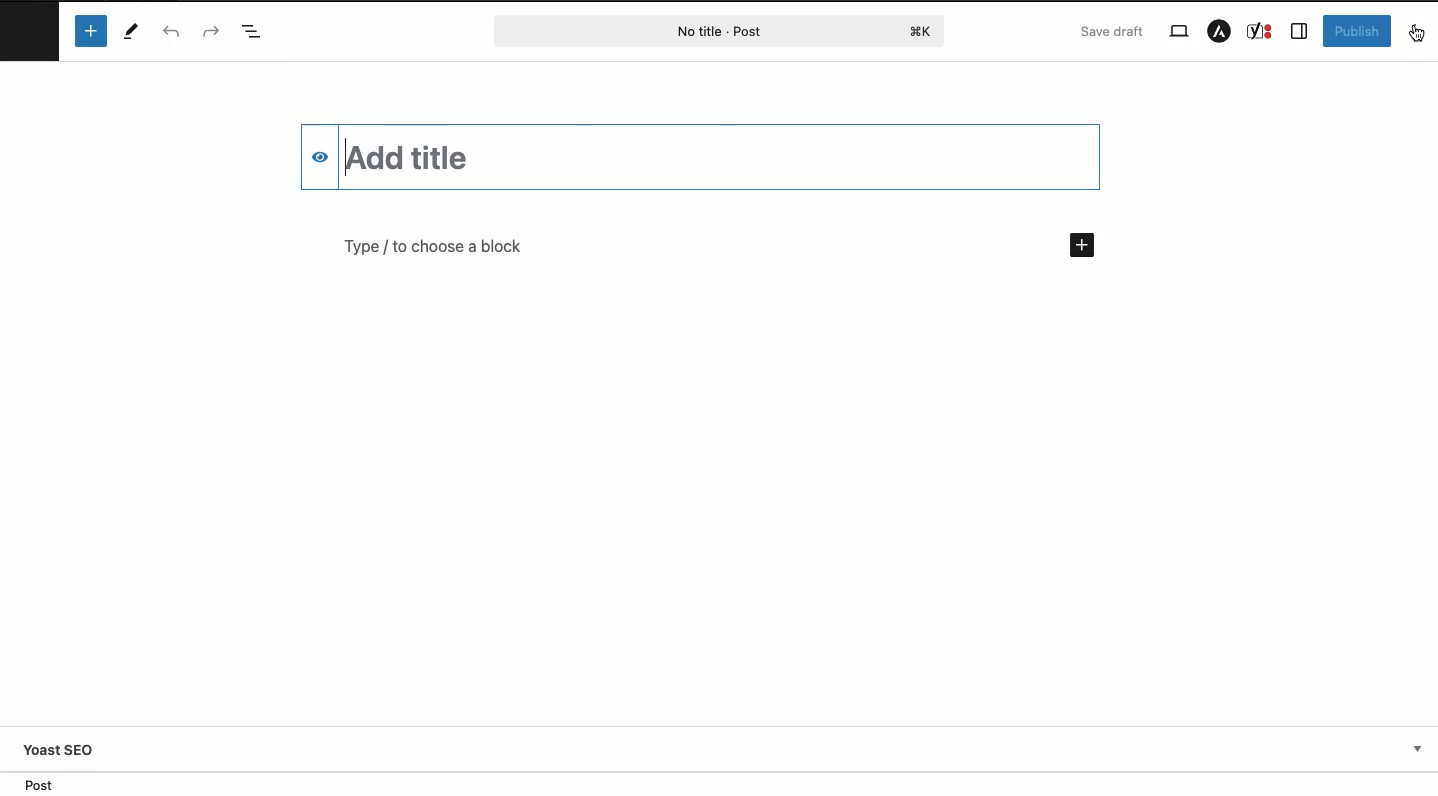 The width and height of the screenshot is (1438, 796). Describe the element at coordinates (1114, 31) in the screenshot. I see `Save draft` at that location.